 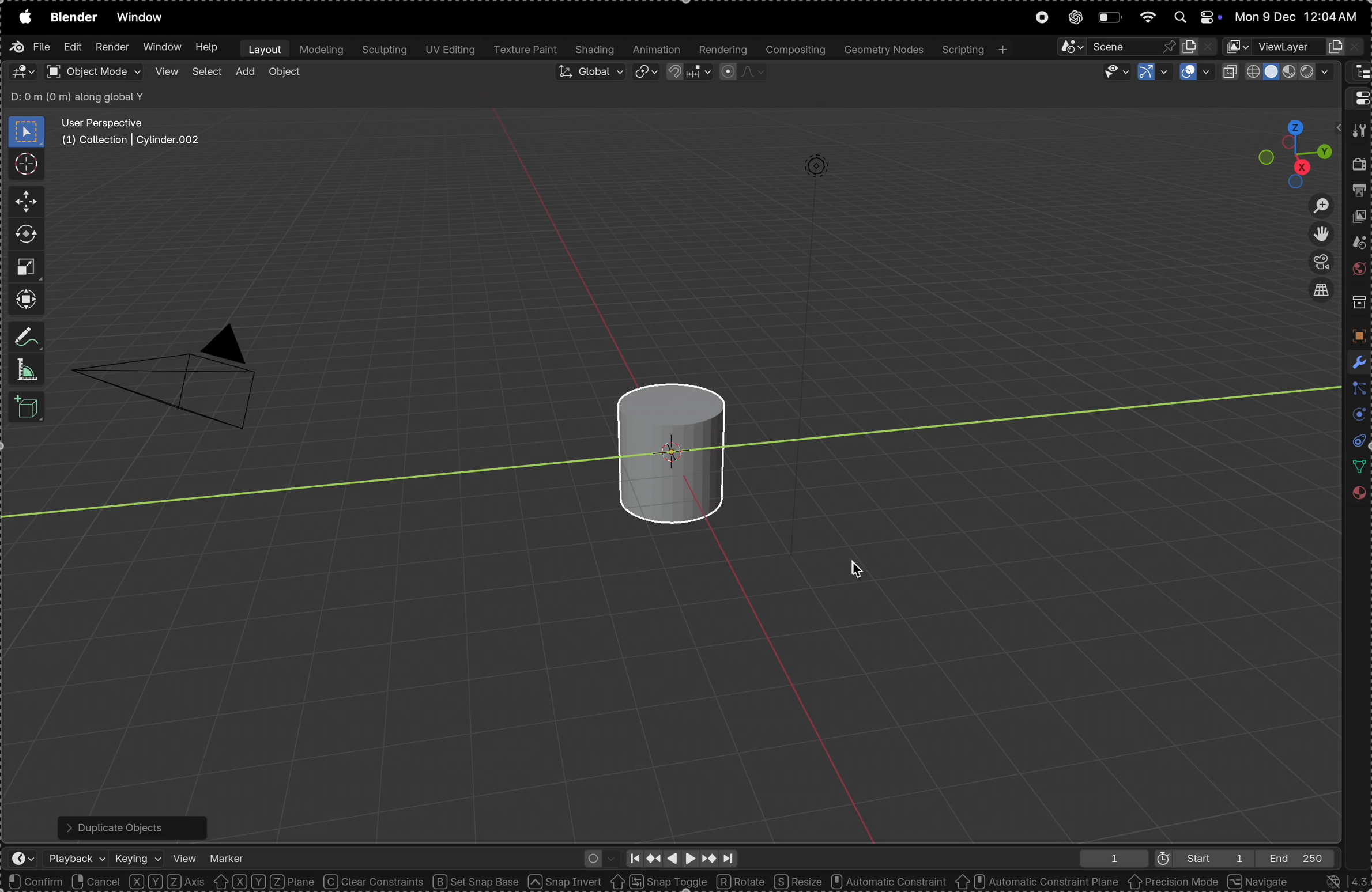 I want to click on Window, so click(x=161, y=48).